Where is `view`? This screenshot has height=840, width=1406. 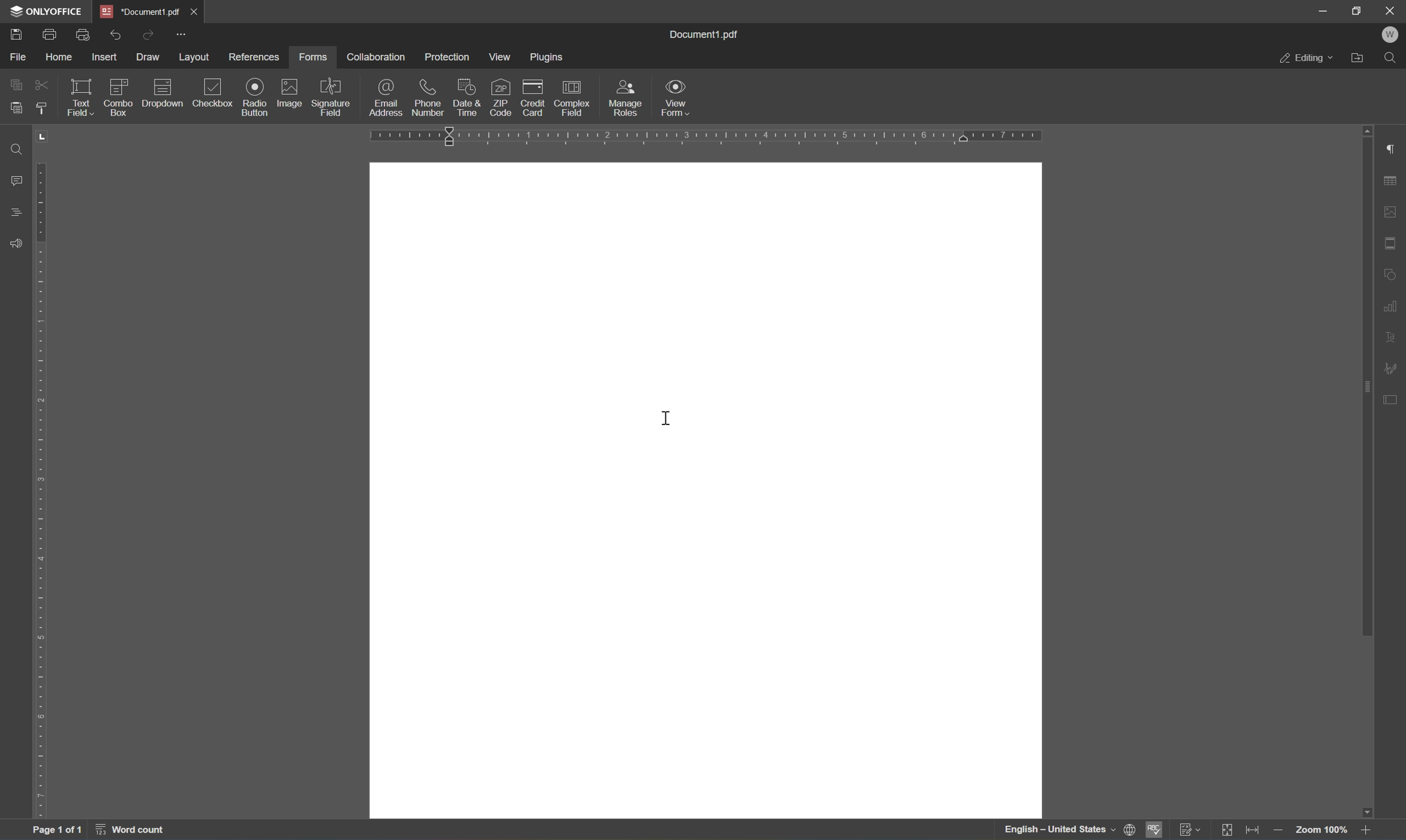 view is located at coordinates (503, 58).